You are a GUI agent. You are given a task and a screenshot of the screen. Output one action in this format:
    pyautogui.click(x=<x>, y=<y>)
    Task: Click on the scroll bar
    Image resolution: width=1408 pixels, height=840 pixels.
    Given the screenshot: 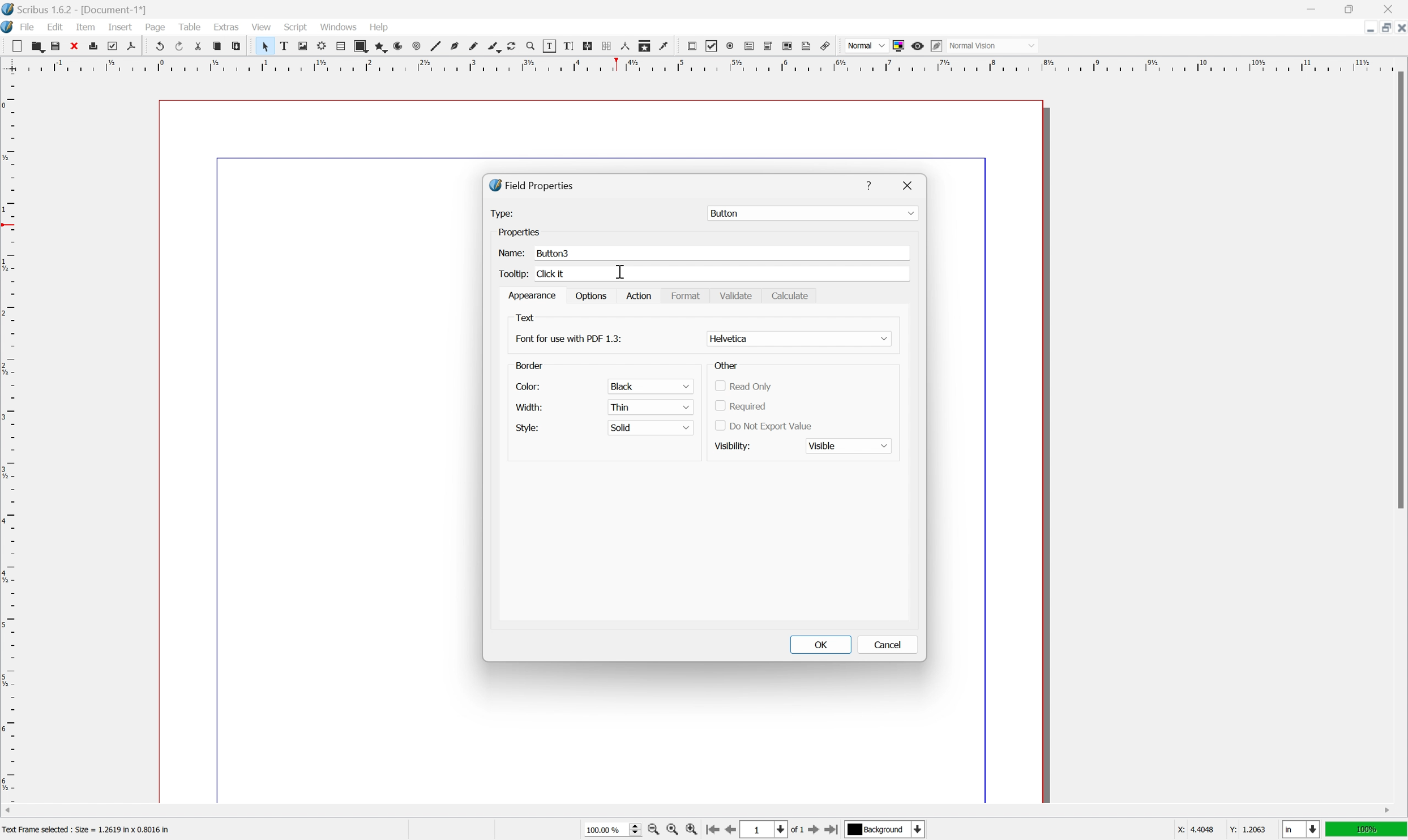 What is the action you would take?
    pyautogui.click(x=1397, y=289)
    